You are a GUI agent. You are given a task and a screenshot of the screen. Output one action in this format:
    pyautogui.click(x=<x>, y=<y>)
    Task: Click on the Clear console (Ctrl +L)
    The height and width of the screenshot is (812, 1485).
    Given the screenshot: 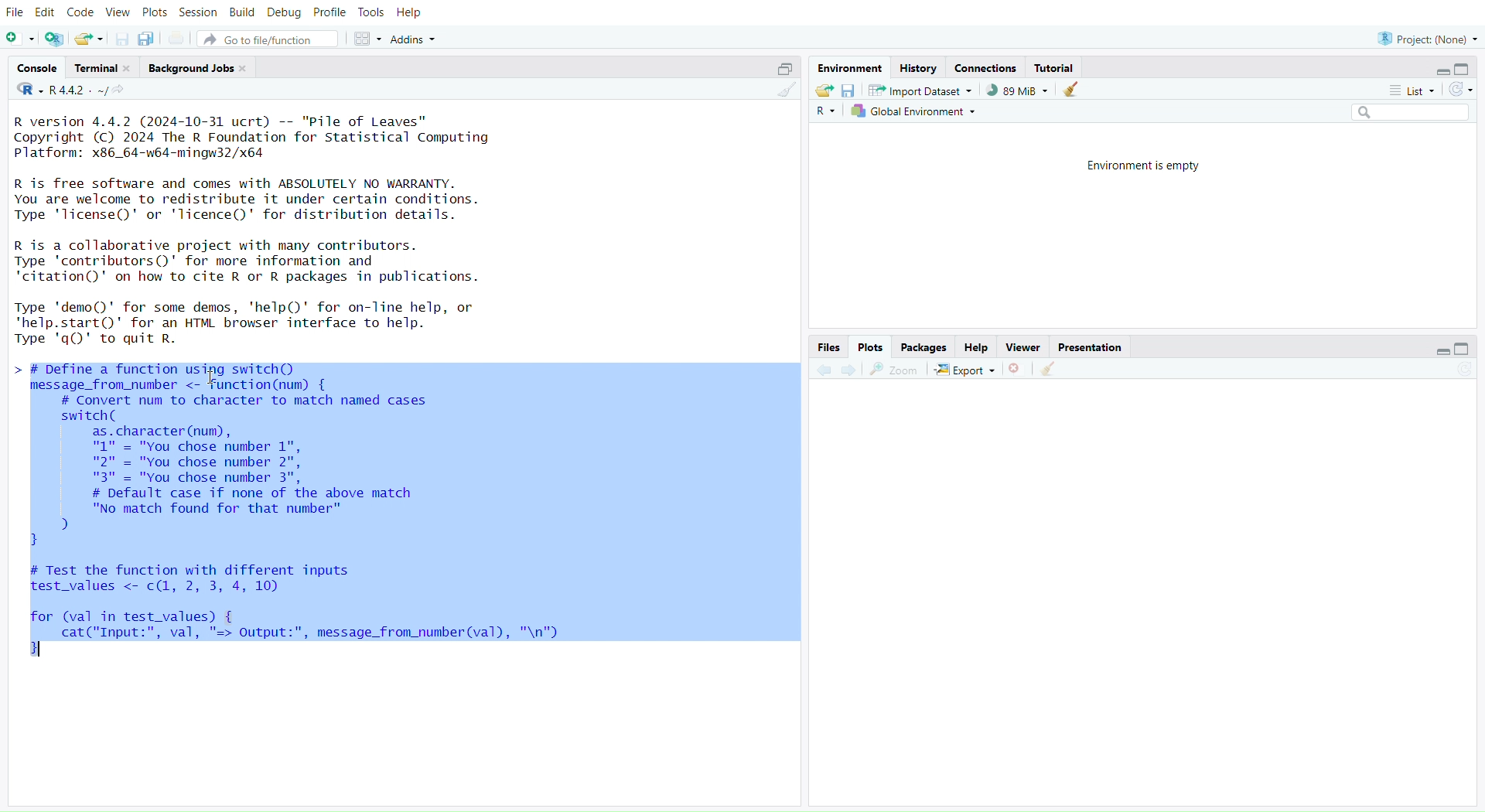 What is the action you would take?
    pyautogui.click(x=1053, y=368)
    